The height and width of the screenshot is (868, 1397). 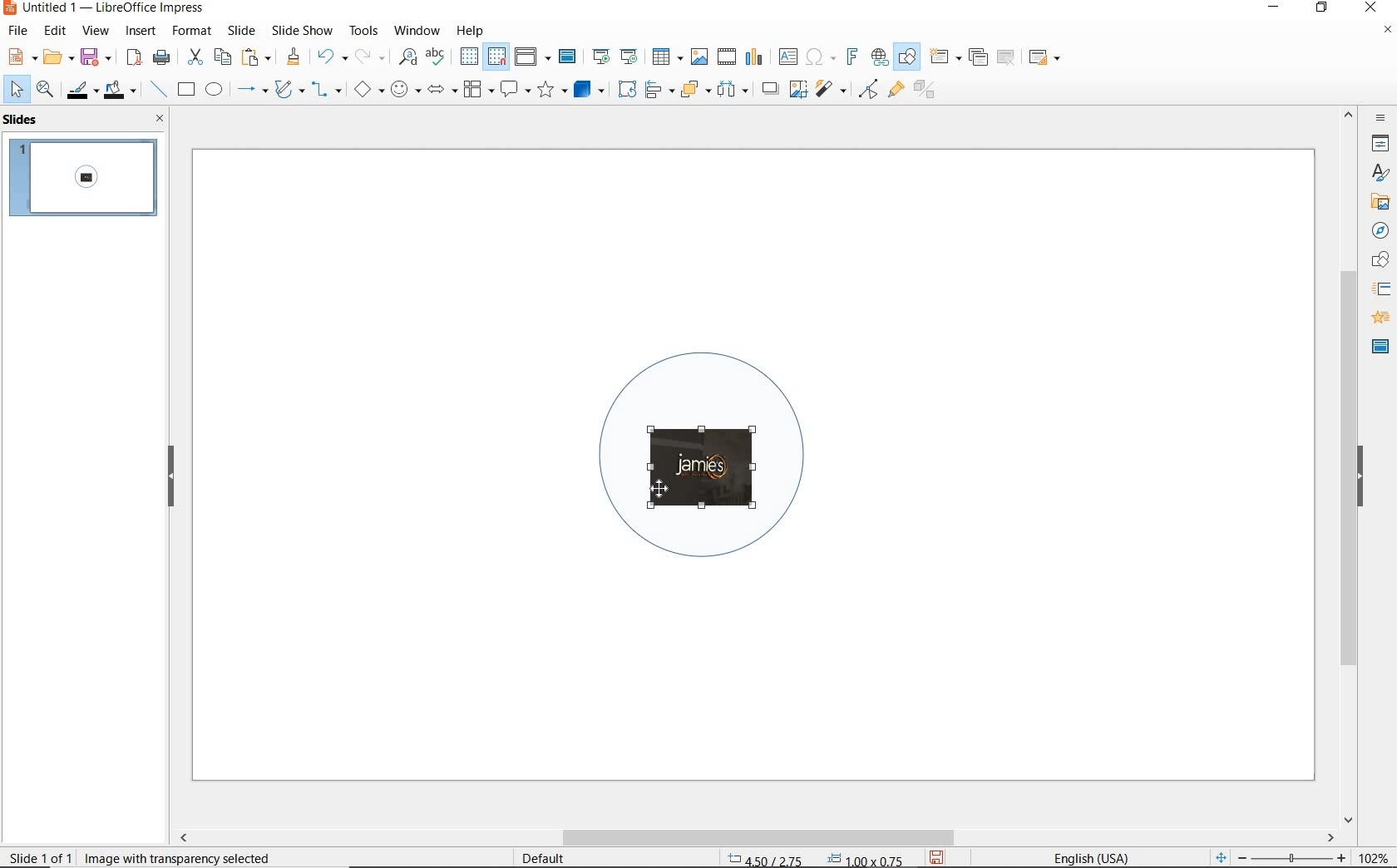 I want to click on symbol shapes, so click(x=405, y=89).